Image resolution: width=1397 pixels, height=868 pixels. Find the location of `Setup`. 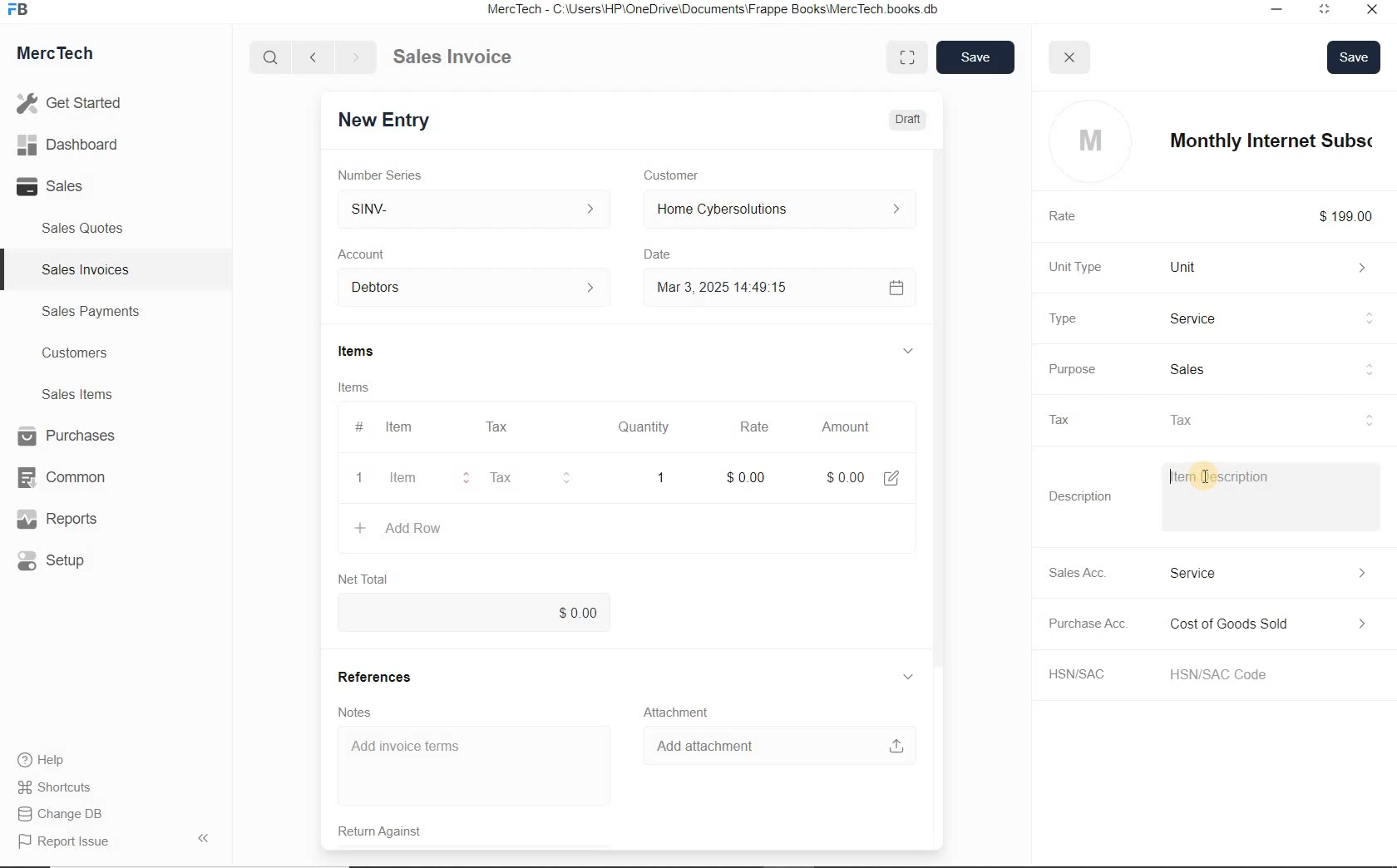

Setup is located at coordinates (70, 560).